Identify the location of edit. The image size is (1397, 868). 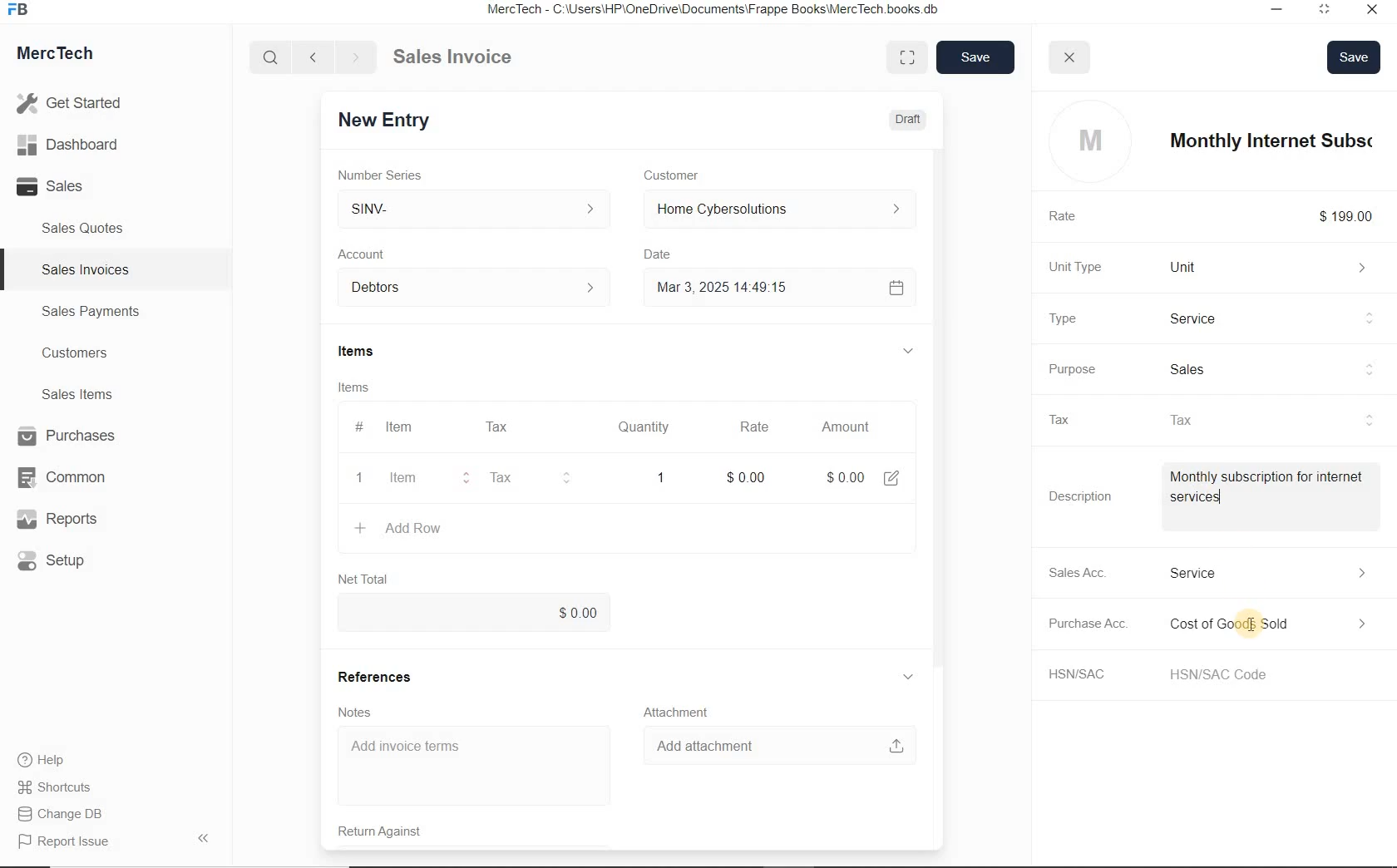
(890, 476).